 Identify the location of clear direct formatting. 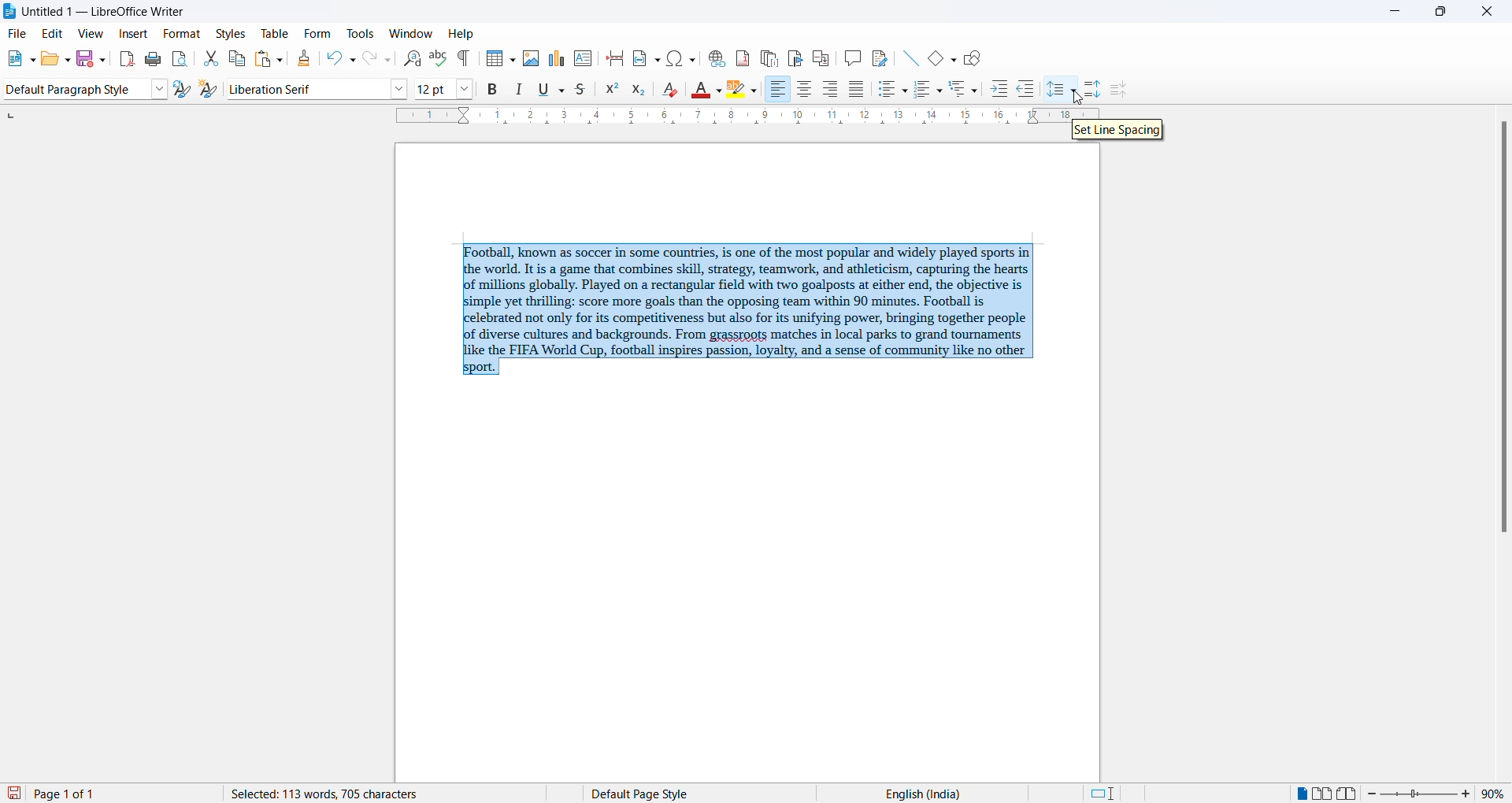
(669, 88).